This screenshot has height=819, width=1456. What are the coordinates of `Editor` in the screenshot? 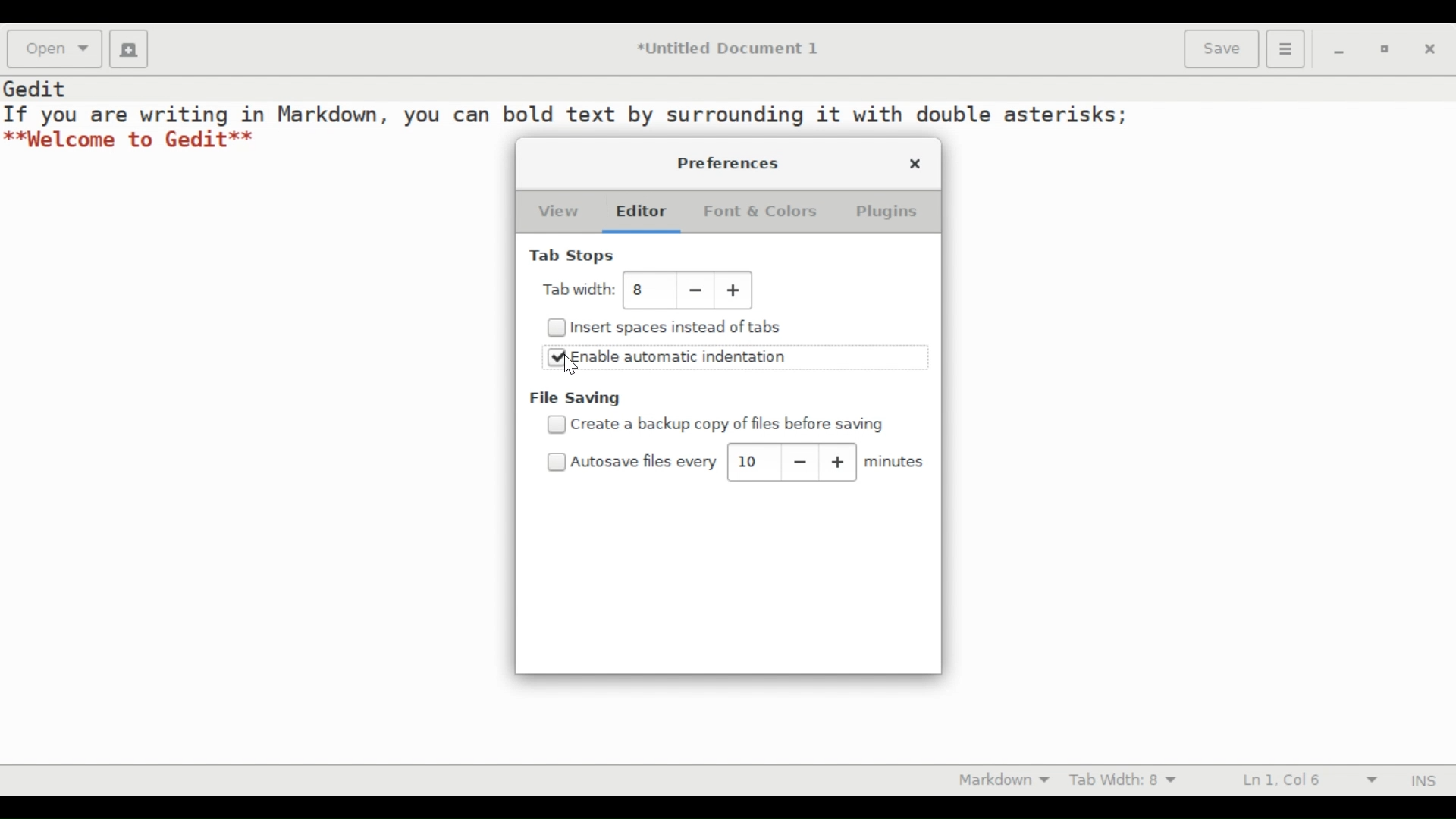 It's located at (639, 211).